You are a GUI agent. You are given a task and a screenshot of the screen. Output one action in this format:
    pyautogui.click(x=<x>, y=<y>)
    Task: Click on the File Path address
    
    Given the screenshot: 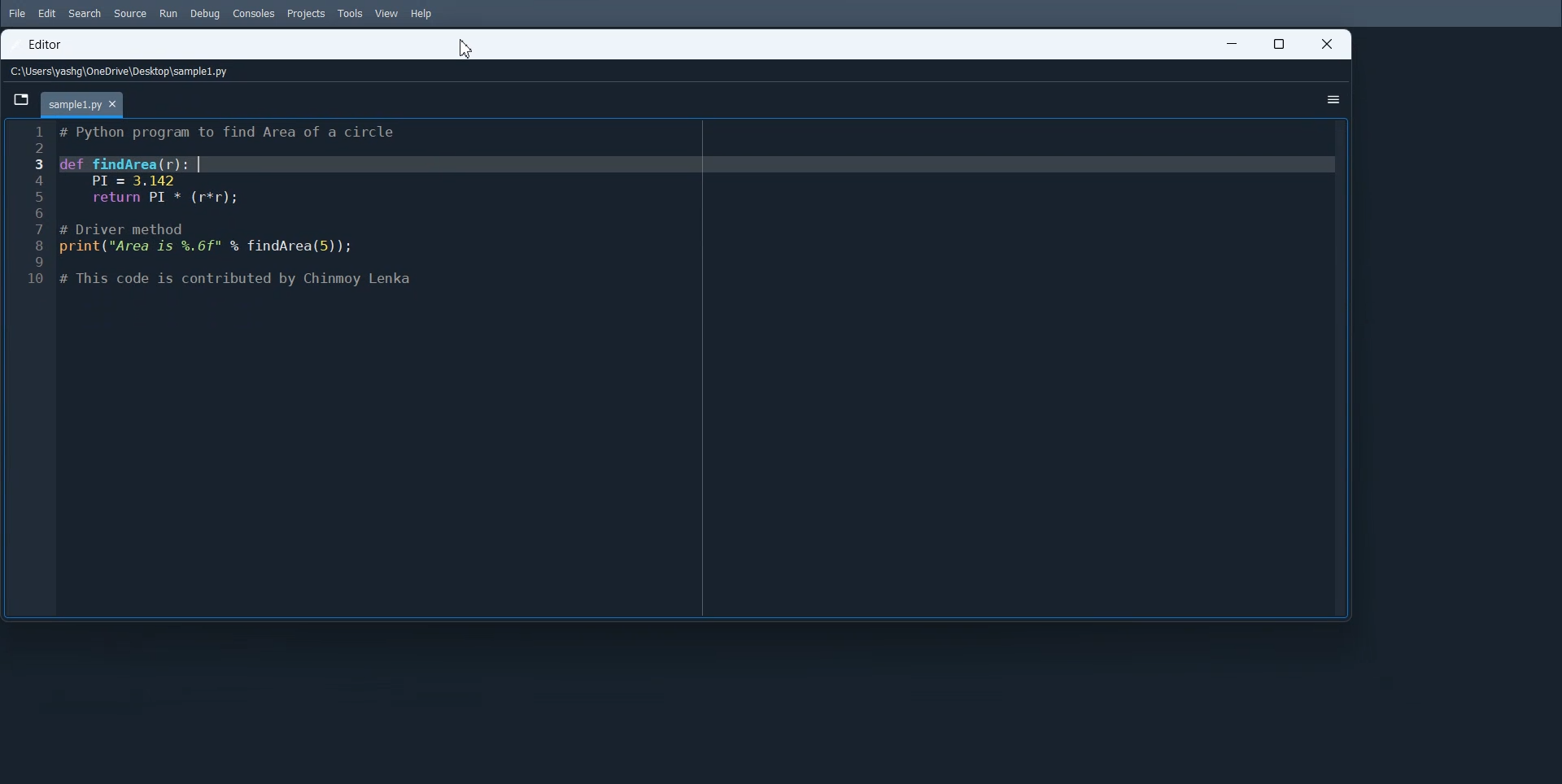 What is the action you would take?
    pyautogui.click(x=121, y=70)
    